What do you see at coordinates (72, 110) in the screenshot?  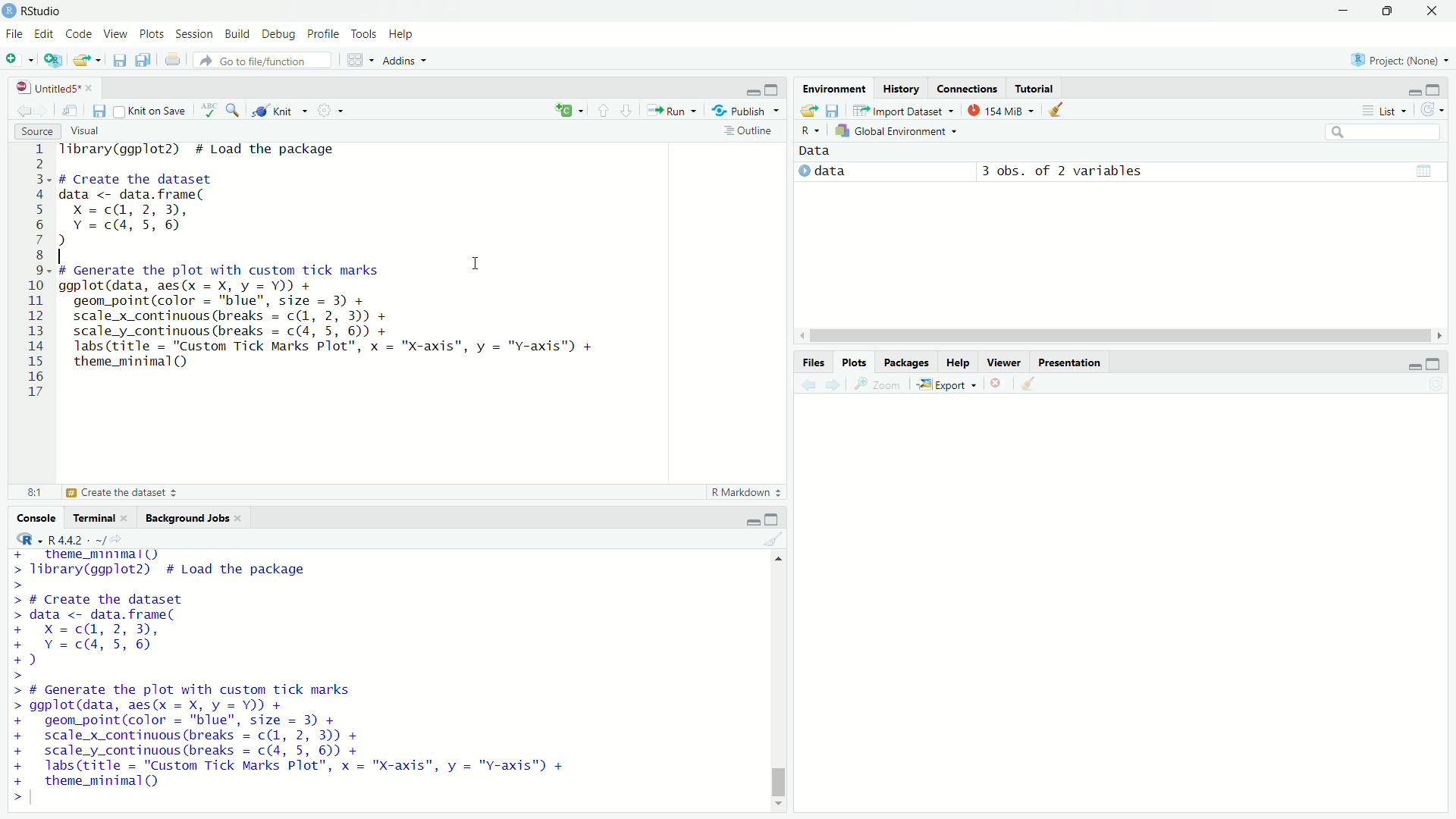 I see `show in new window` at bounding box center [72, 110].